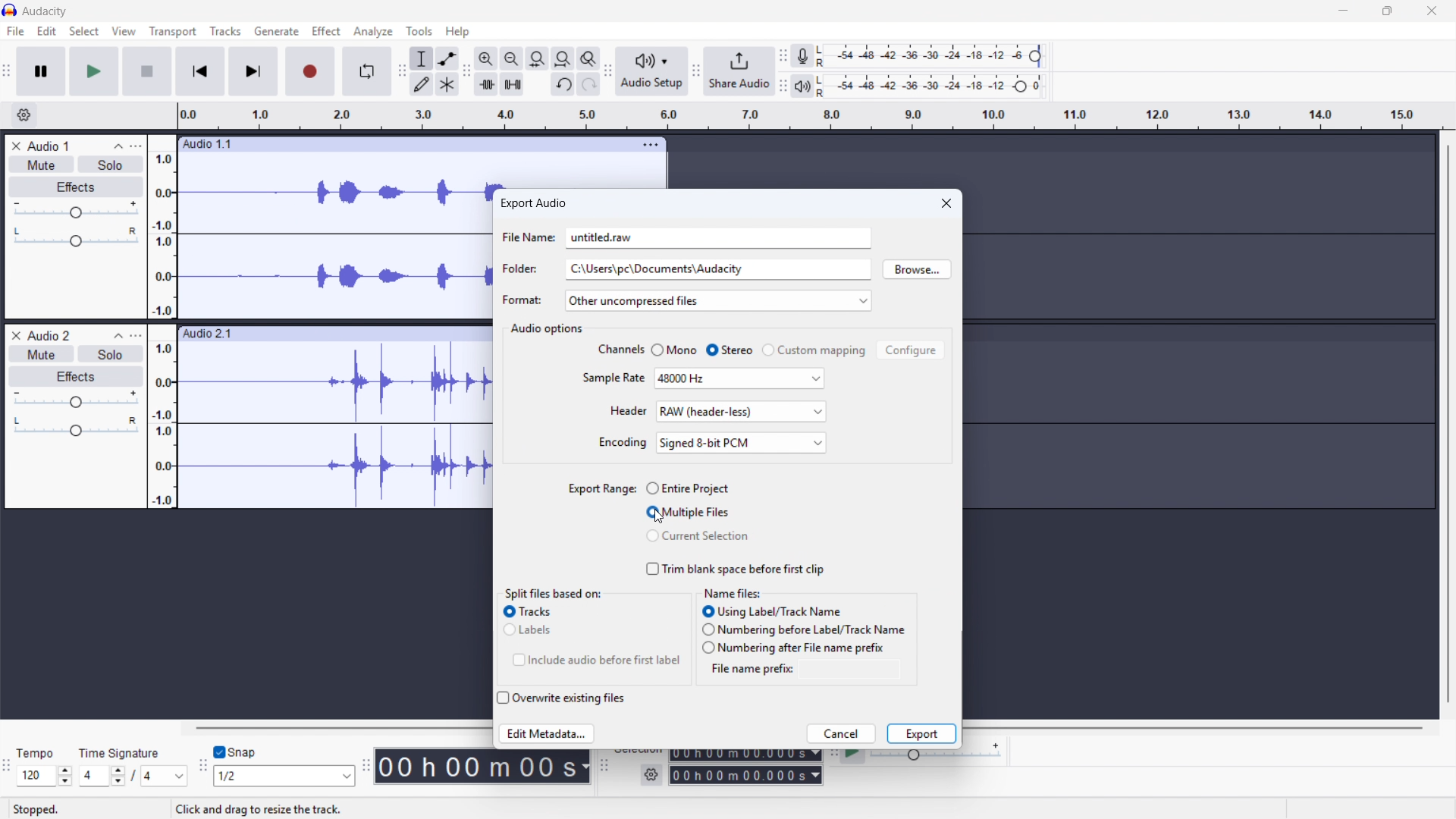 This screenshot has height=819, width=1456. What do you see at coordinates (911, 350) in the screenshot?
I see `Configure ` at bounding box center [911, 350].